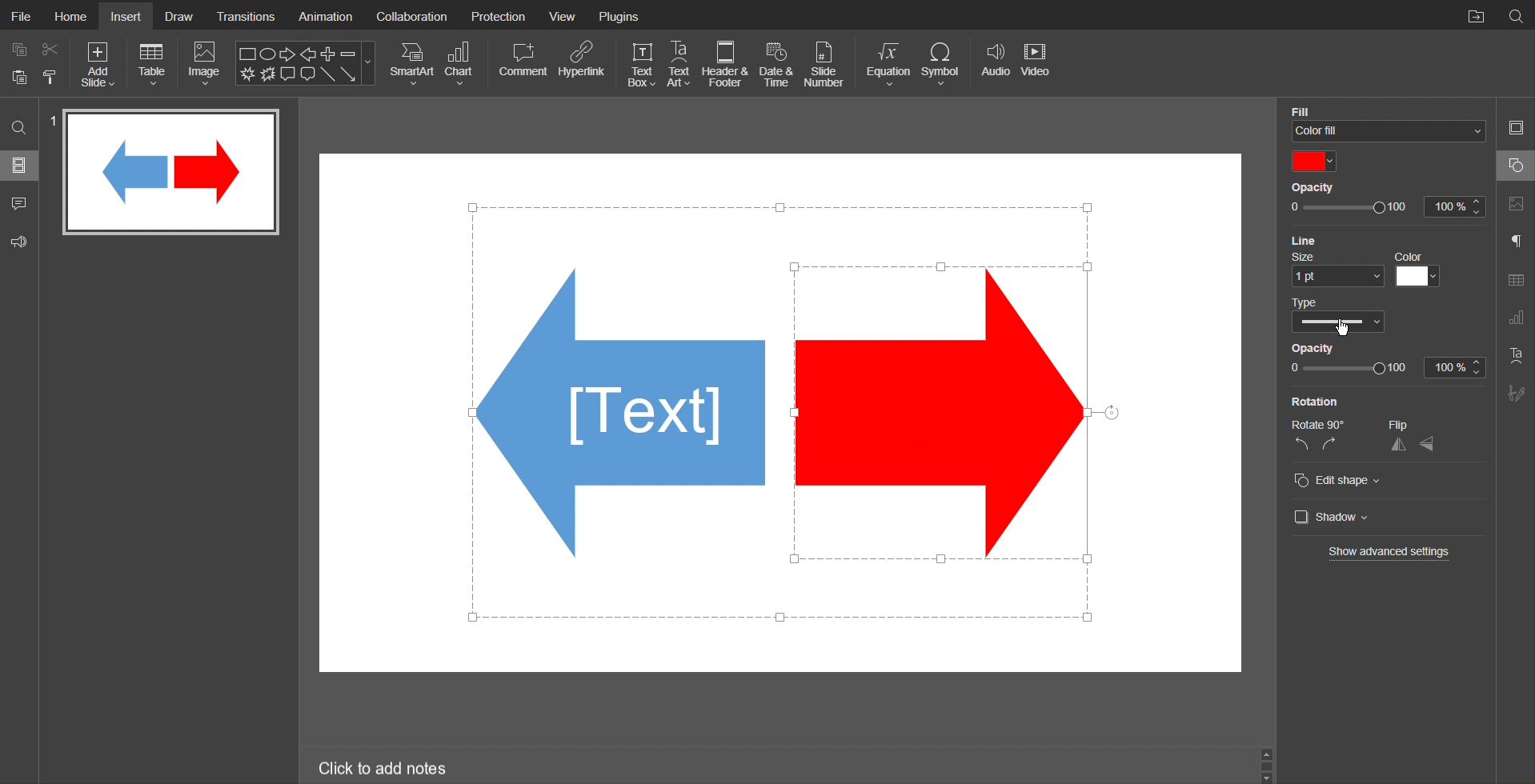 Image resolution: width=1535 pixels, height=784 pixels. I want to click on Slide Settings, so click(1517, 128).